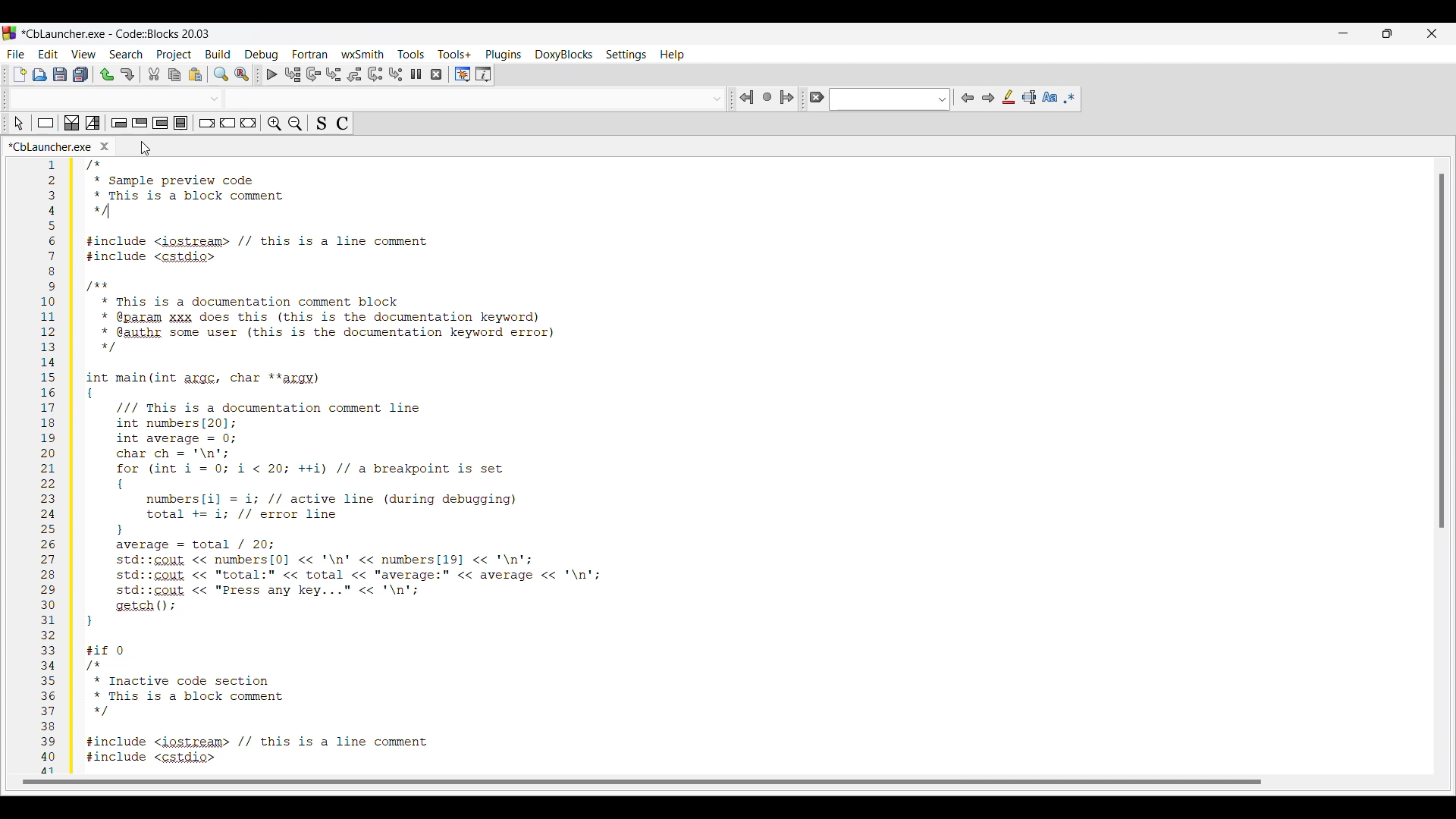 The width and height of the screenshot is (1456, 819). Describe the element at coordinates (454, 55) in the screenshot. I see `Tools+ menu` at that location.